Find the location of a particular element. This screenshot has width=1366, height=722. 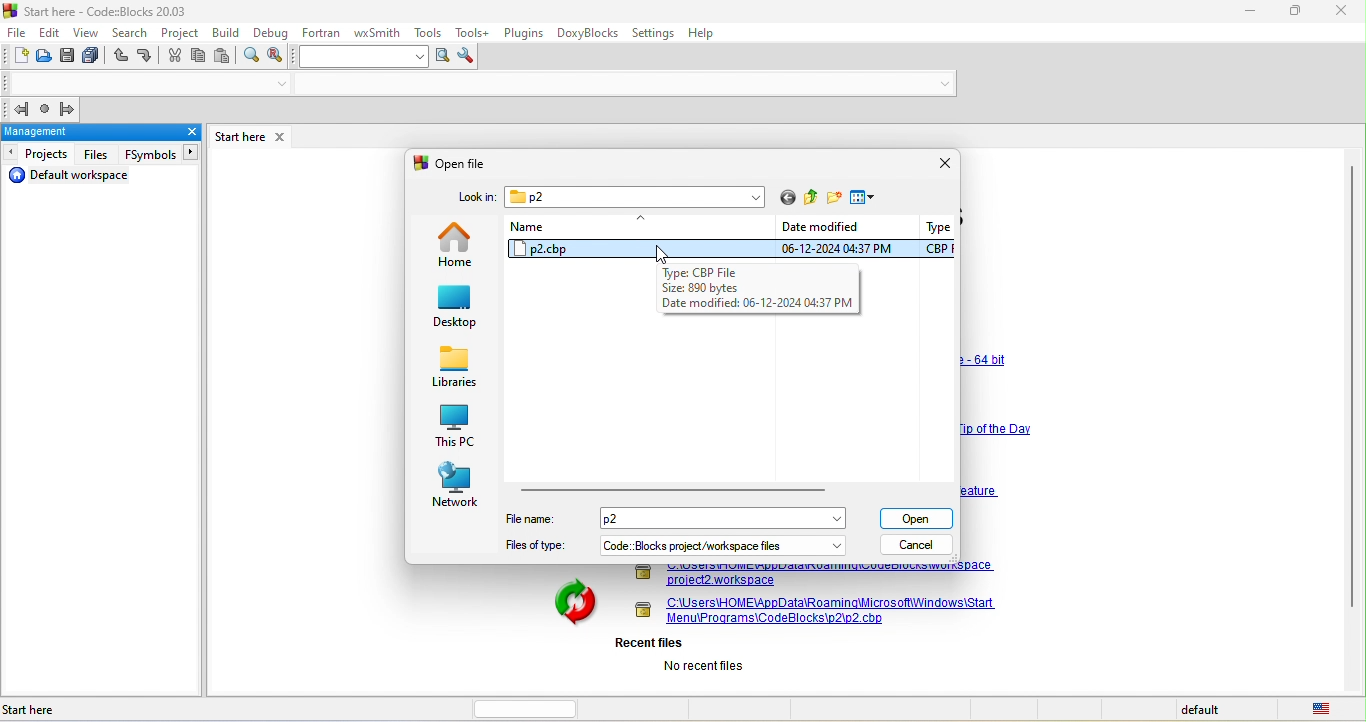

show option window is located at coordinates (467, 57).